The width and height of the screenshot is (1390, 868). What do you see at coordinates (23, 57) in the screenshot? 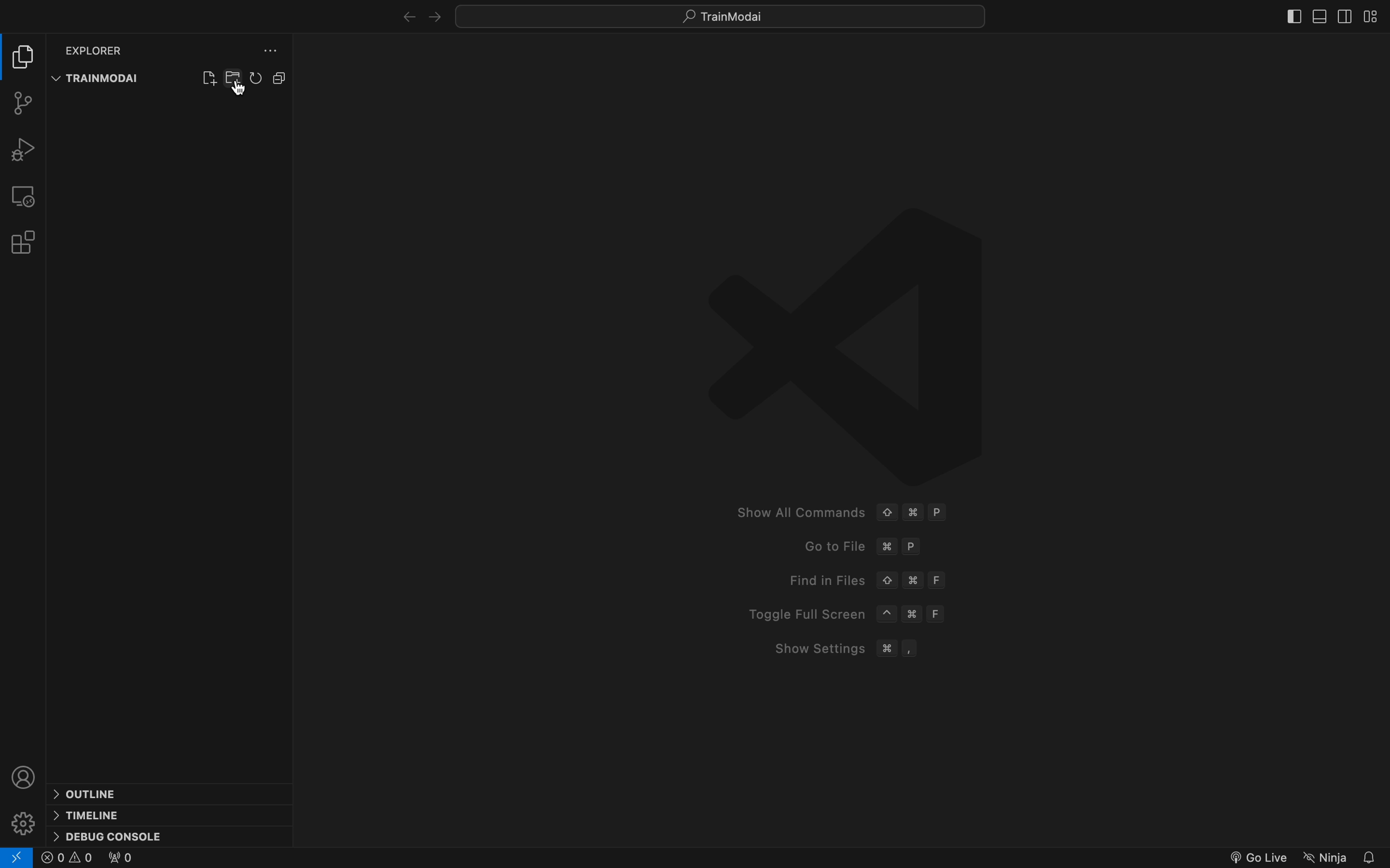
I see `file explore` at bounding box center [23, 57].